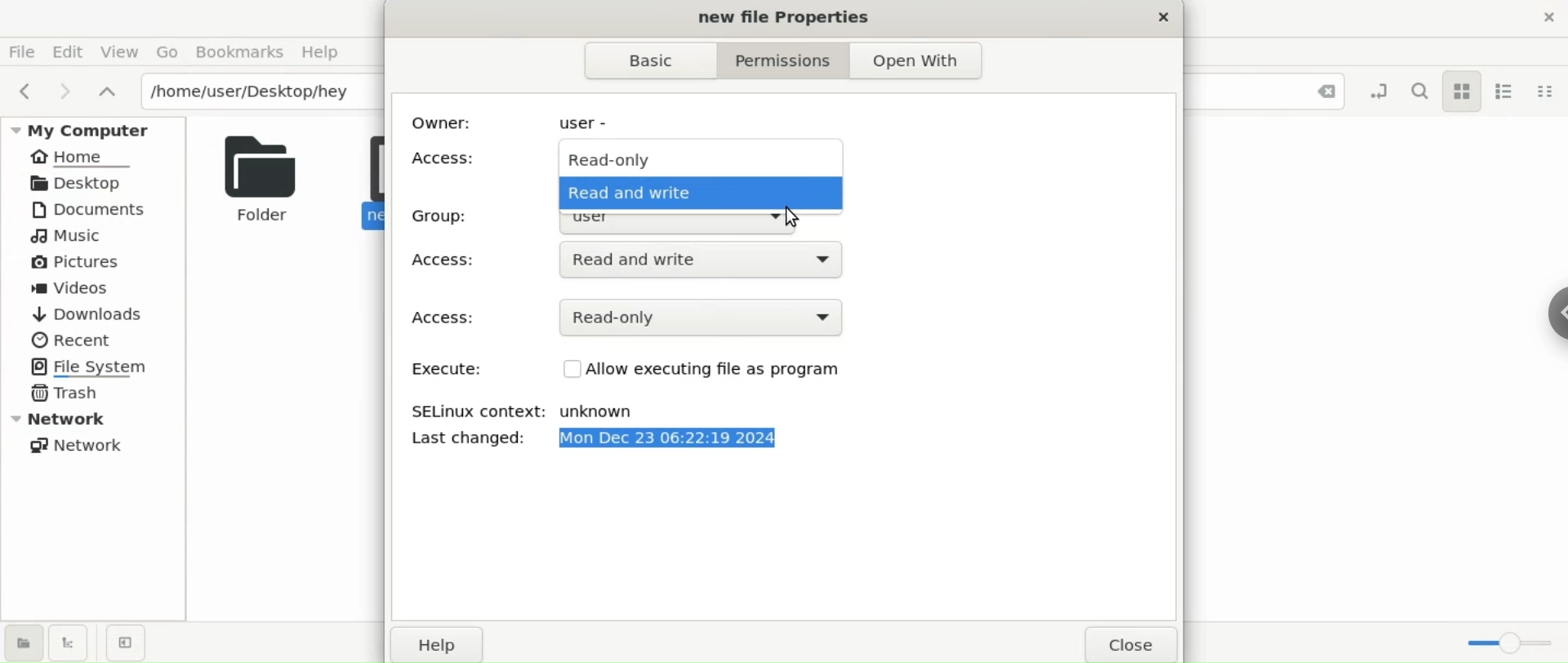  I want to click on Owner, so click(451, 122).